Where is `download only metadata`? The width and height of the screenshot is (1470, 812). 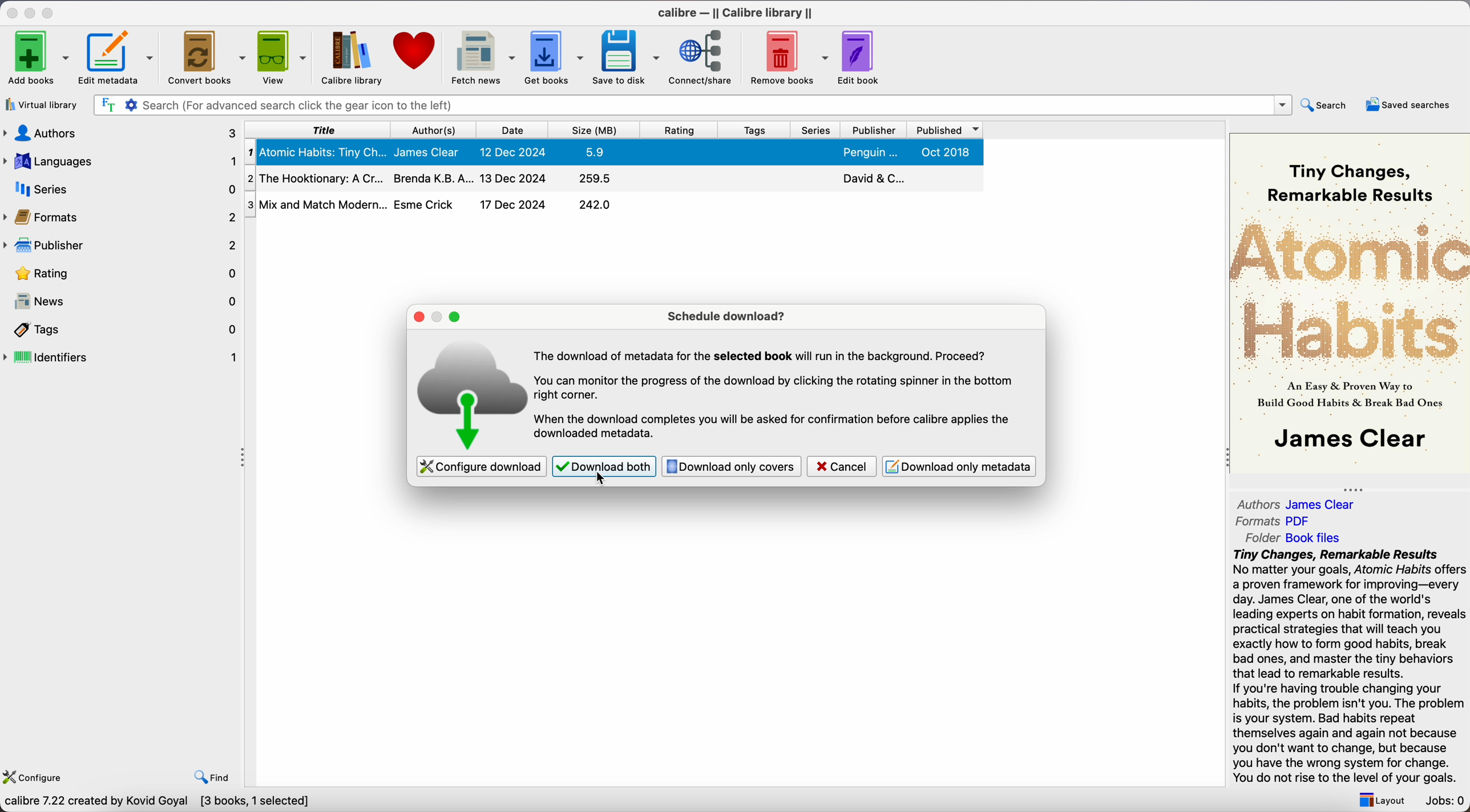 download only metadata is located at coordinates (959, 466).